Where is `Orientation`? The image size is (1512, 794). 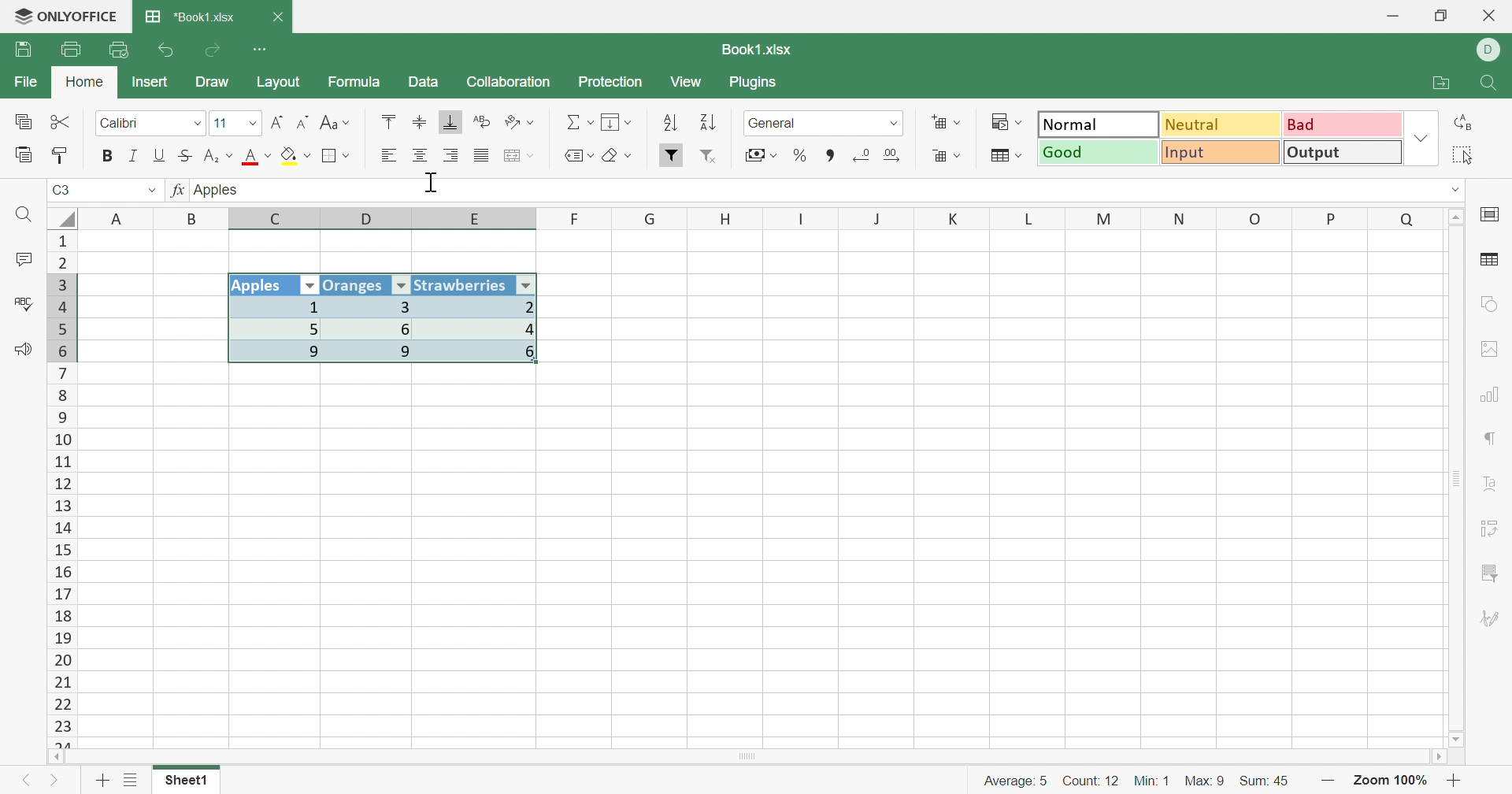
Orientation is located at coordinates (522, 122).